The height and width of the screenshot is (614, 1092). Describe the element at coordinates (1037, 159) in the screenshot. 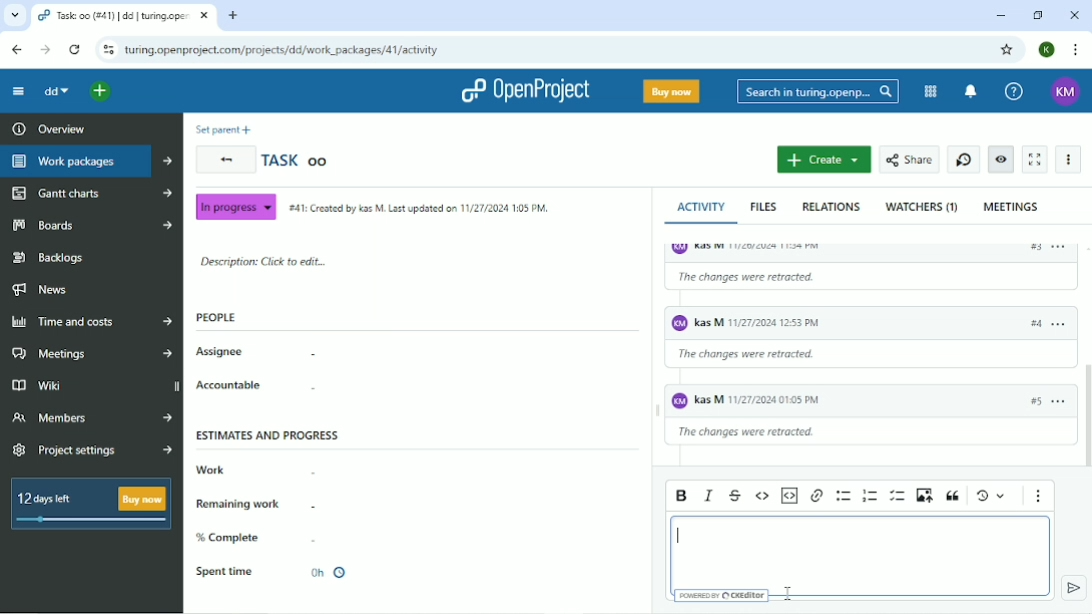

I see `Activate zen mode` at that location.